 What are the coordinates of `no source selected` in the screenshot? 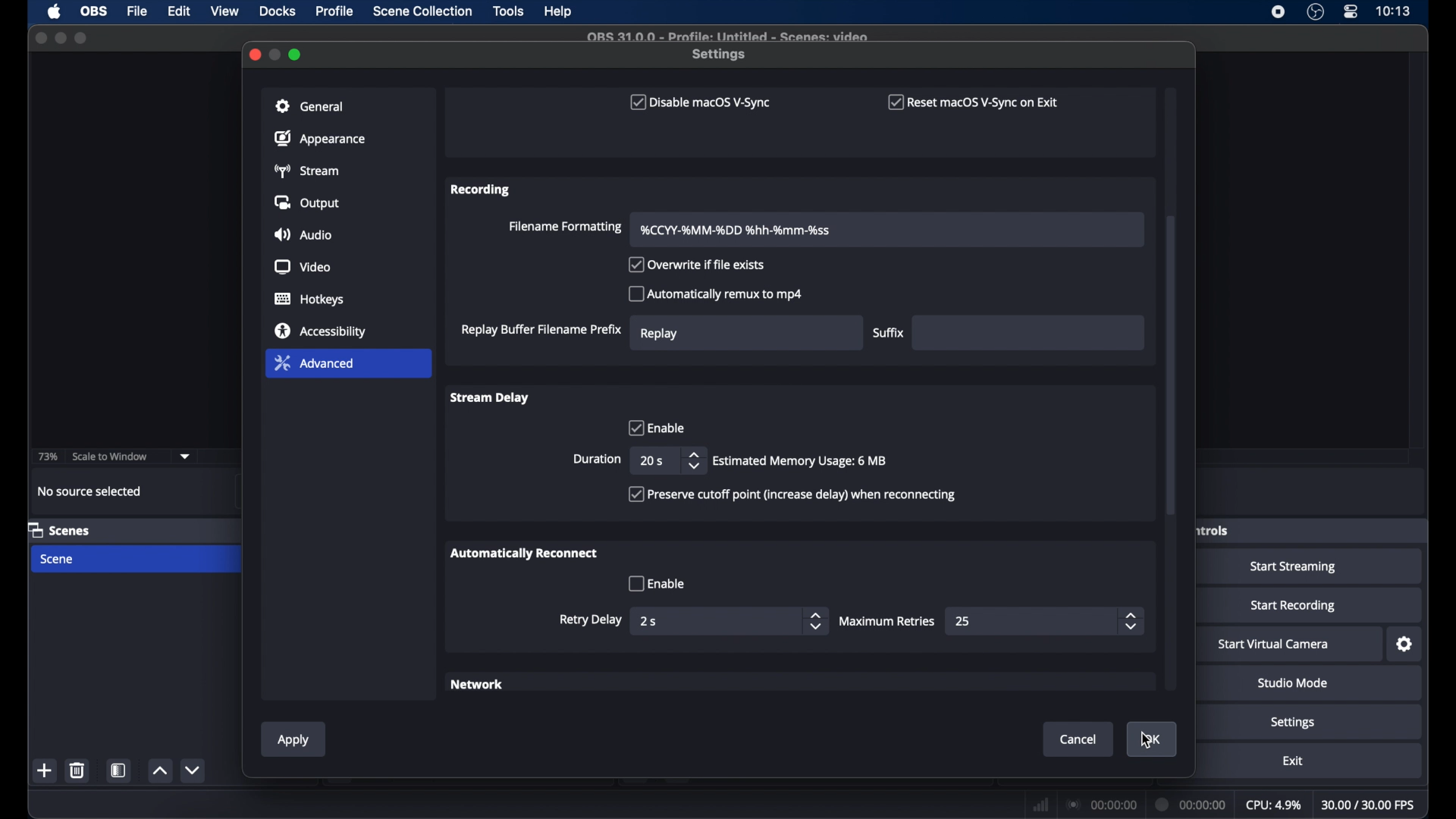 It's located at (90, 491).